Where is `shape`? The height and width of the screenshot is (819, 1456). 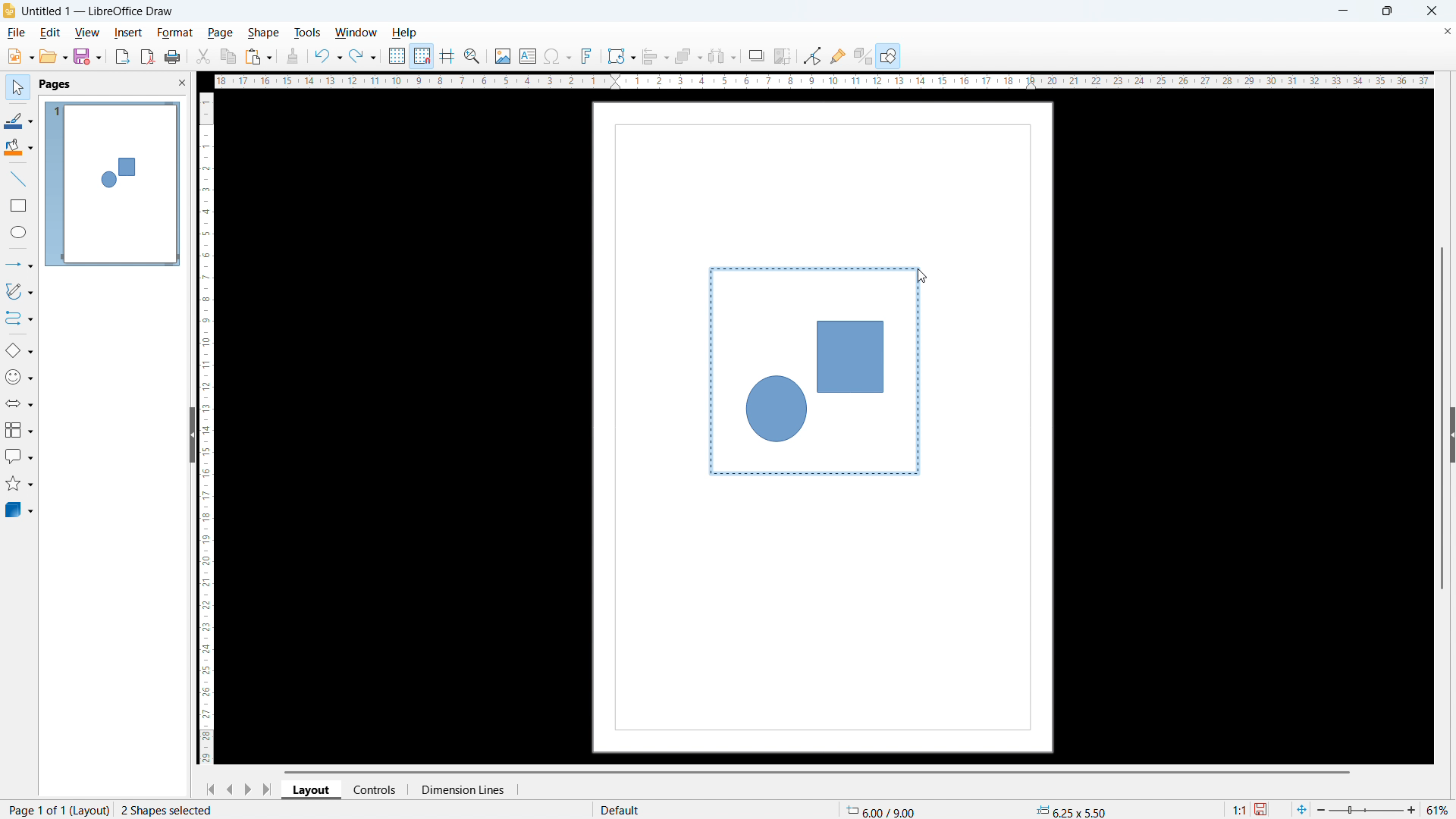 shape is located at coordinates (264, 33).